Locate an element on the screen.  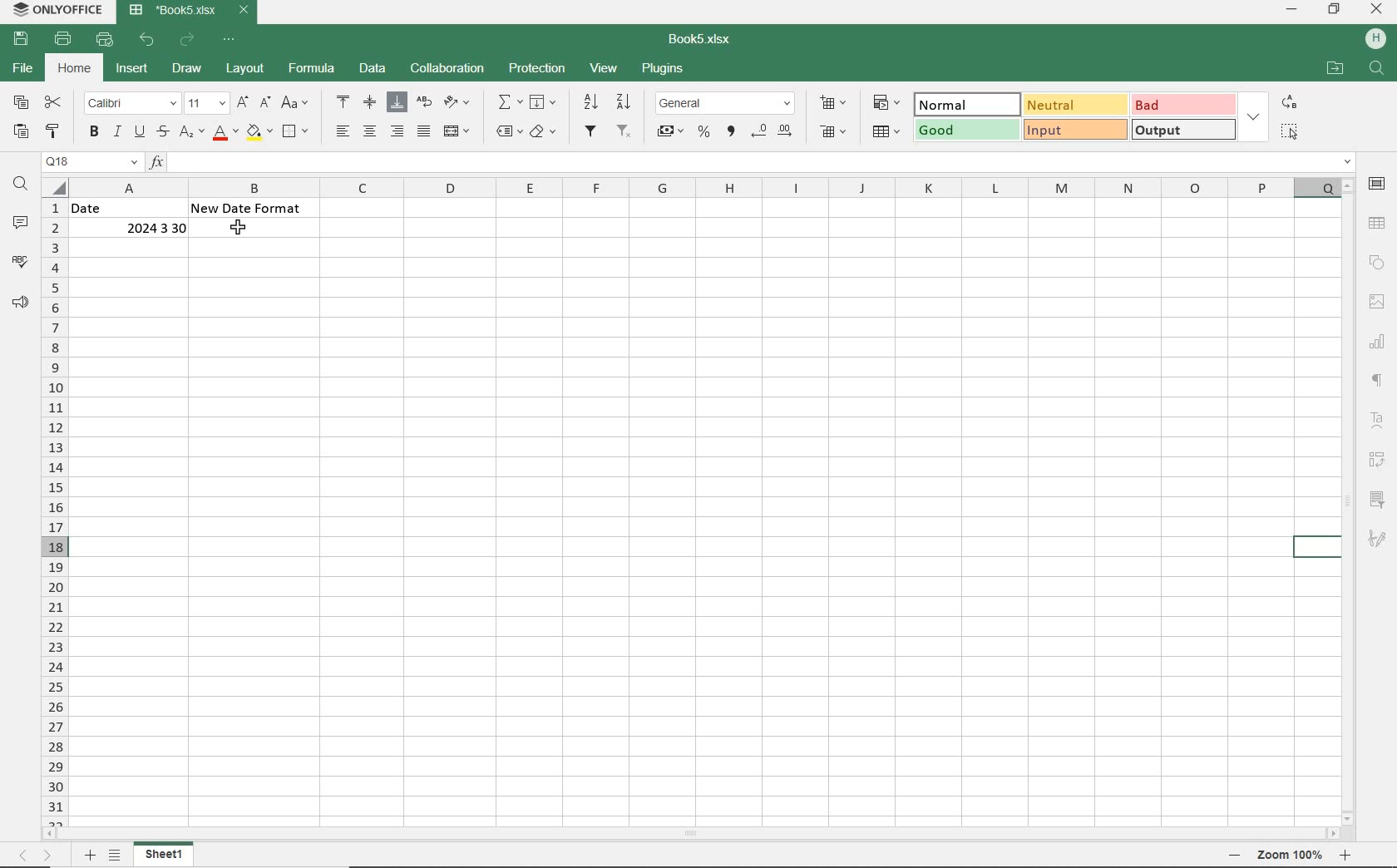
TABLE is located at coordinates (1377, 223).